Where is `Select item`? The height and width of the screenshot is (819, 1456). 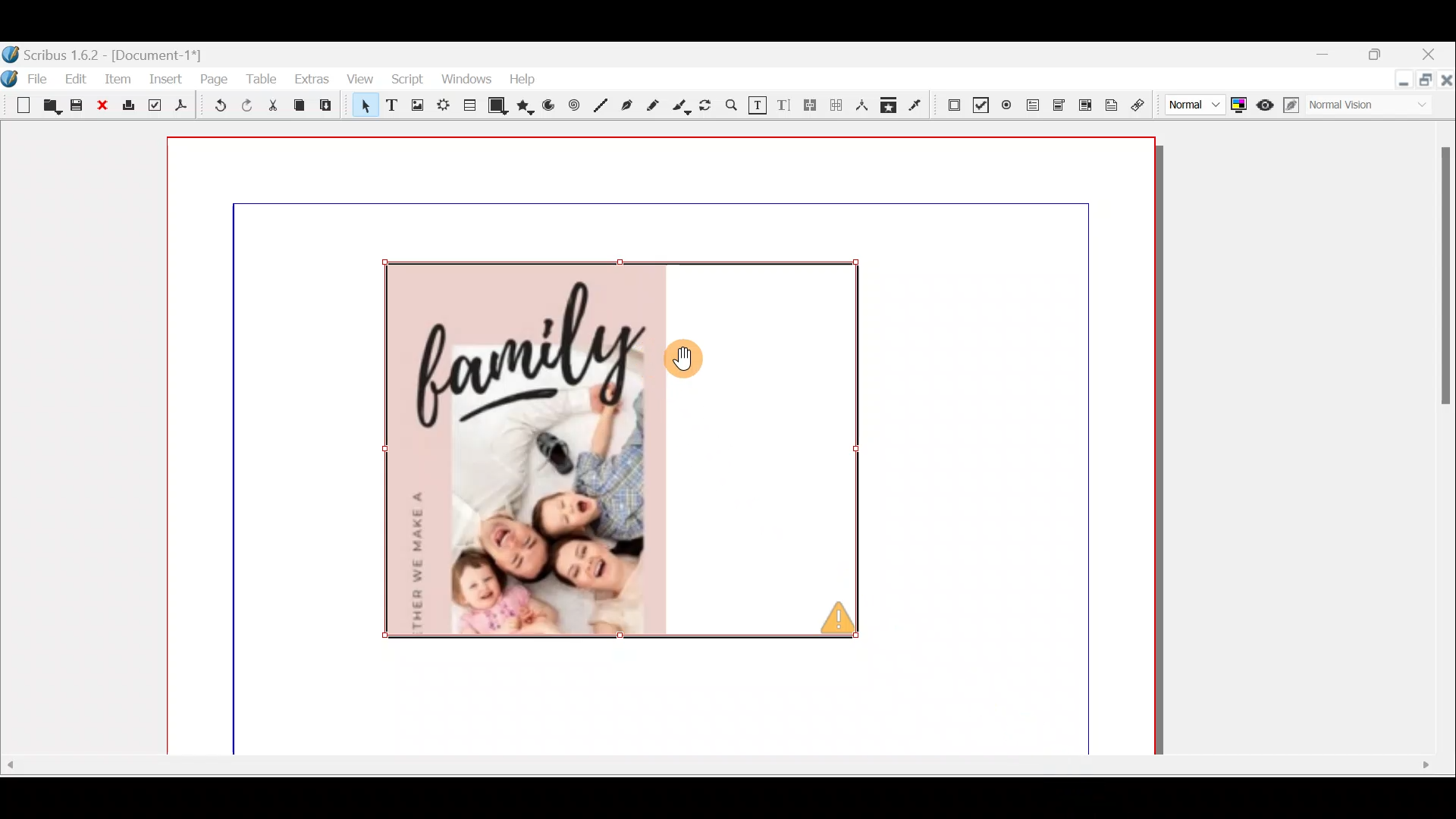
Select item is located at coordinates (362, 108).